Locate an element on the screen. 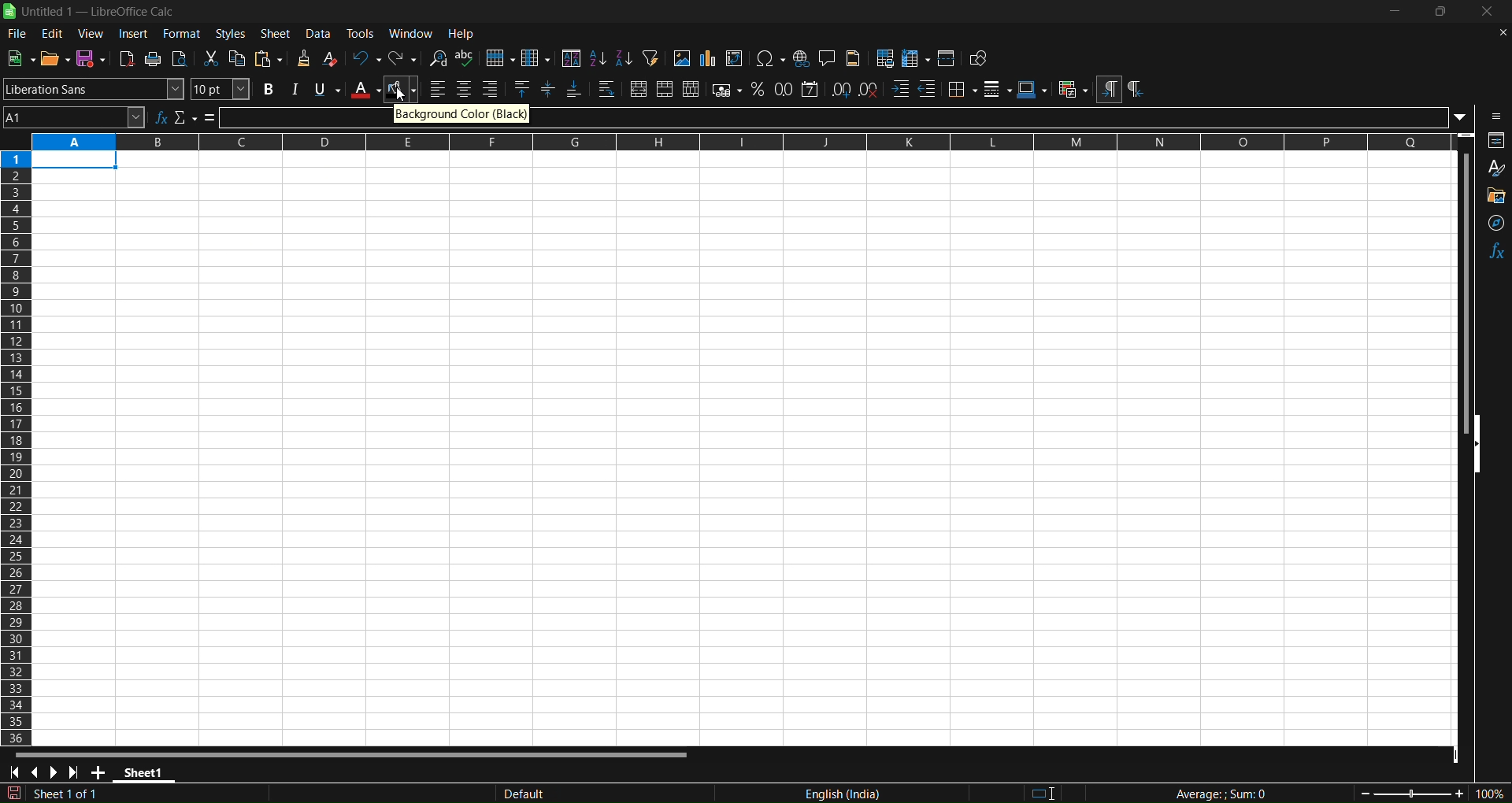 The height and width of the screenshot is (803, 1512). zoom factor is located at coordinates (1426, 793).